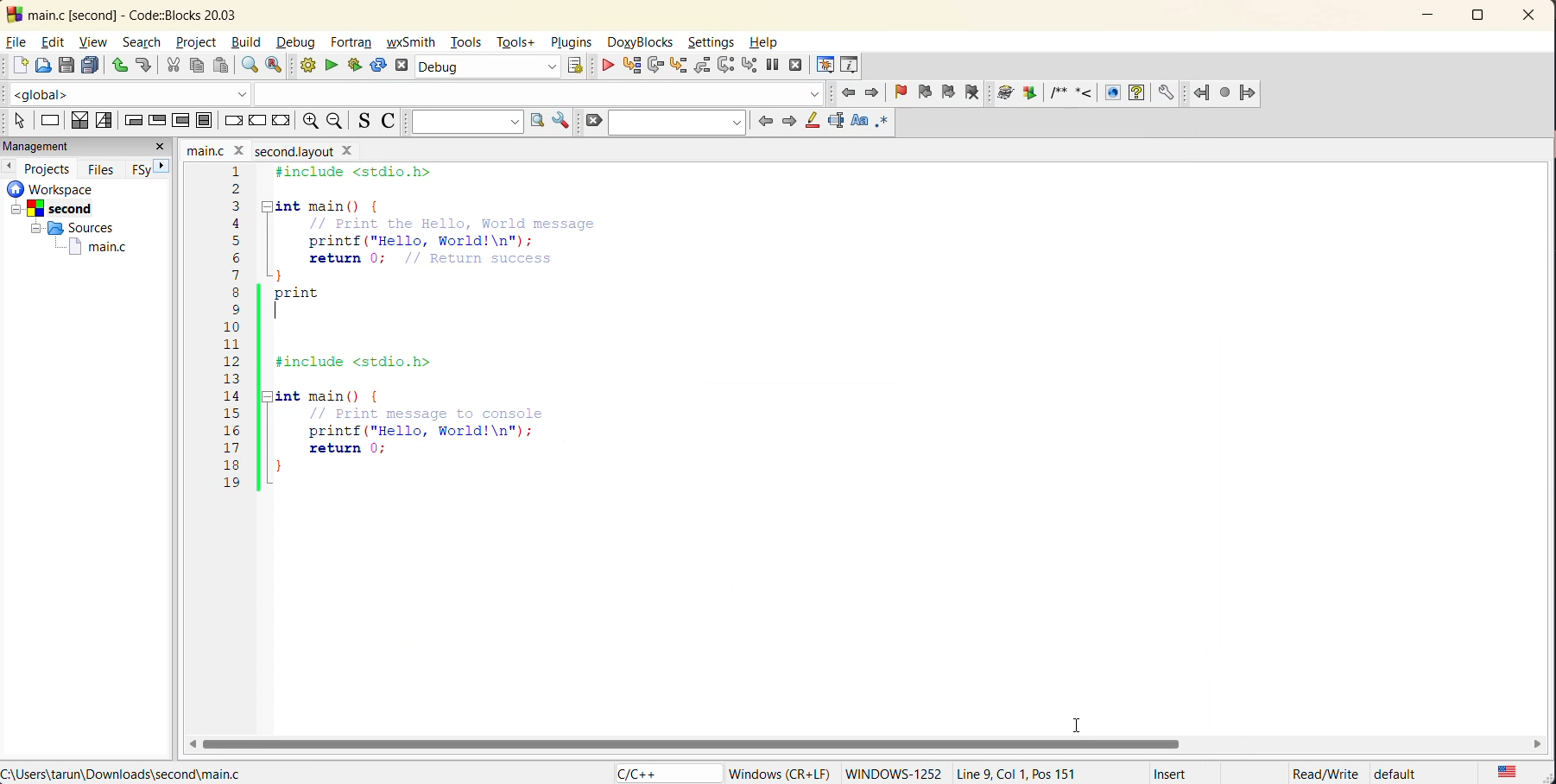  What do you see at coordinates (682, 122) in the screenshot?
I see `search` at bounding box center [682, 122].